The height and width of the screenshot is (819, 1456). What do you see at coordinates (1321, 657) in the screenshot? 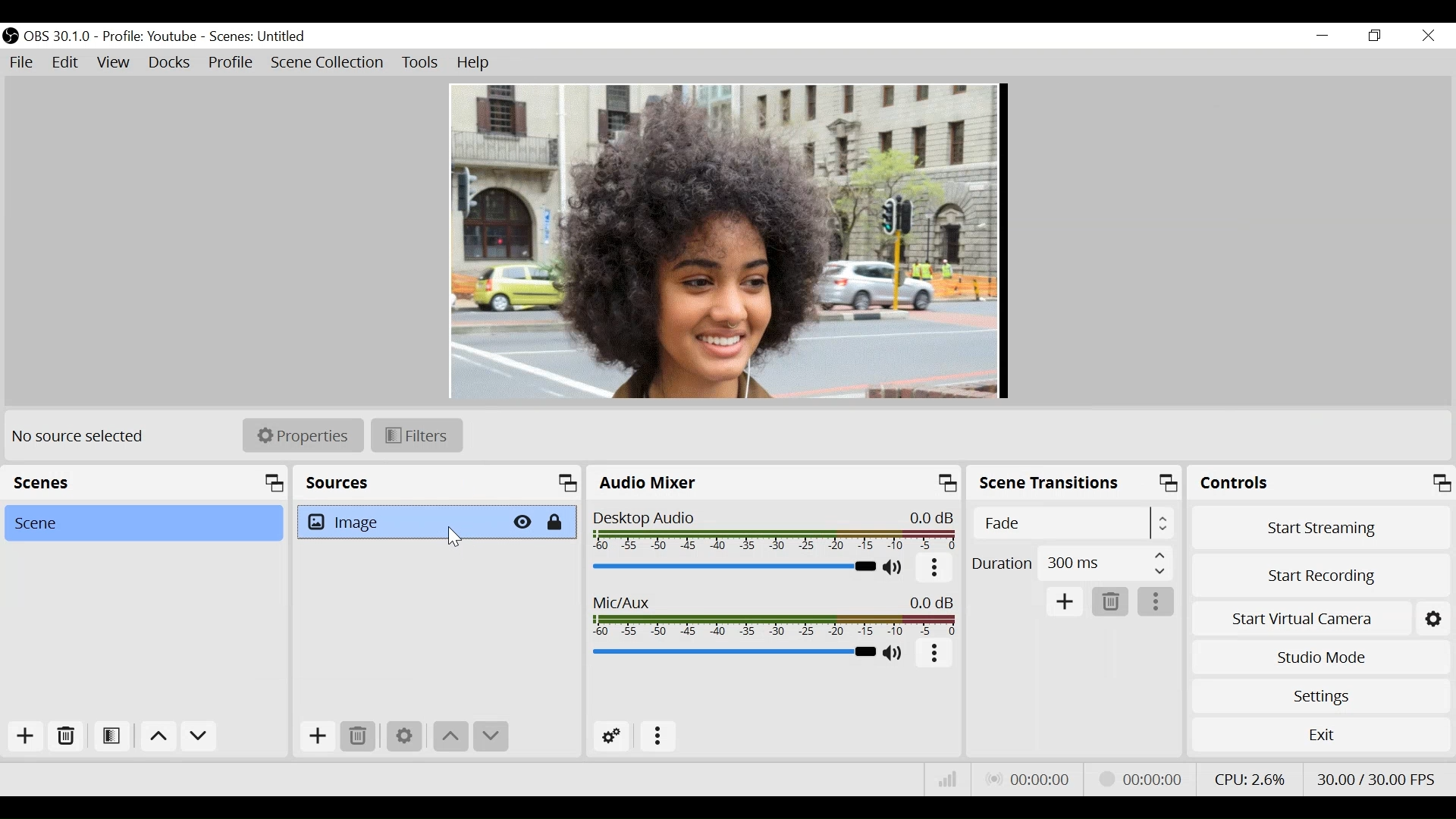
I see `Studio Mode` at bounding box center [1321, 657].